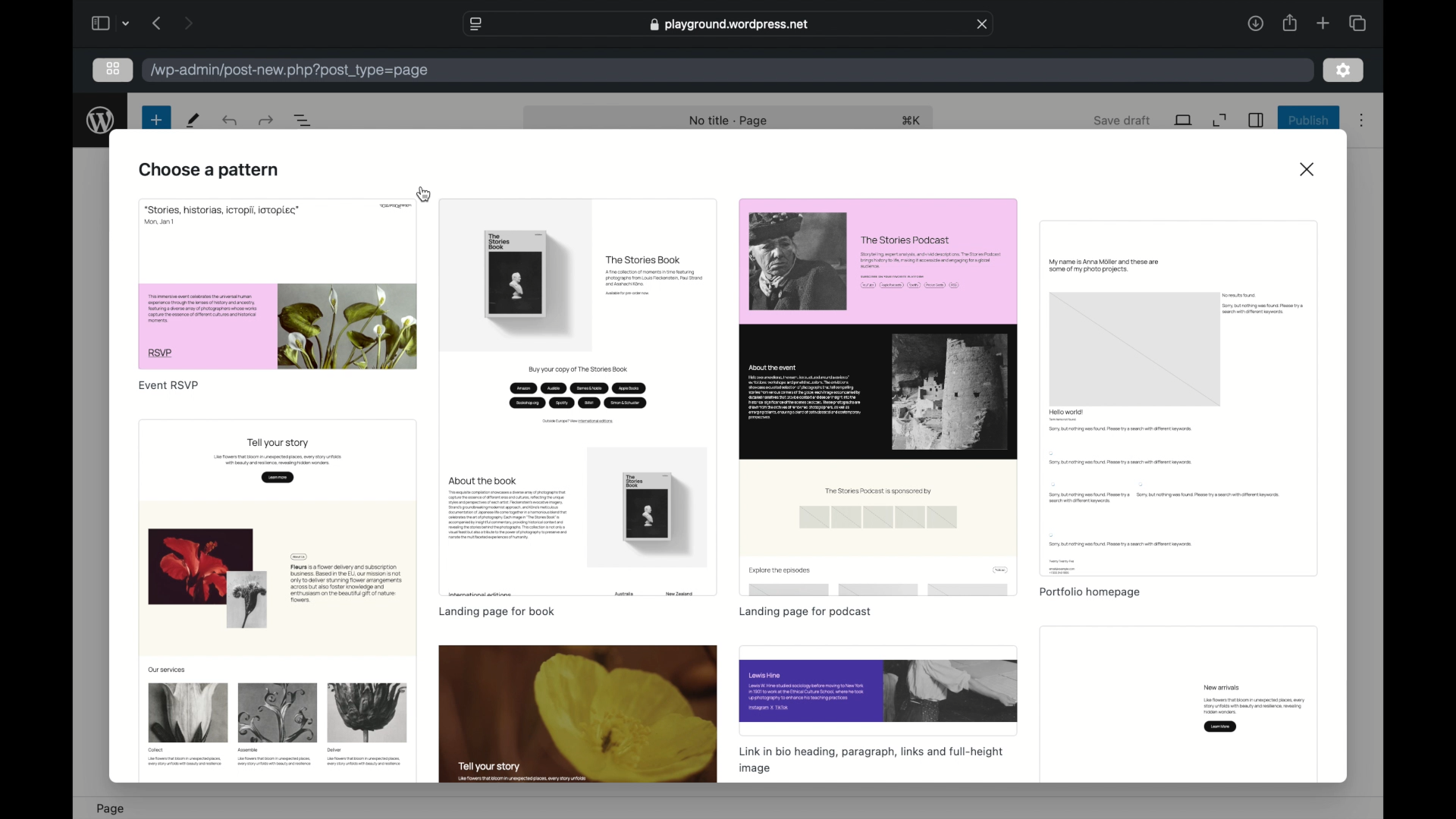  I want to click on close, so click(1309, 169).